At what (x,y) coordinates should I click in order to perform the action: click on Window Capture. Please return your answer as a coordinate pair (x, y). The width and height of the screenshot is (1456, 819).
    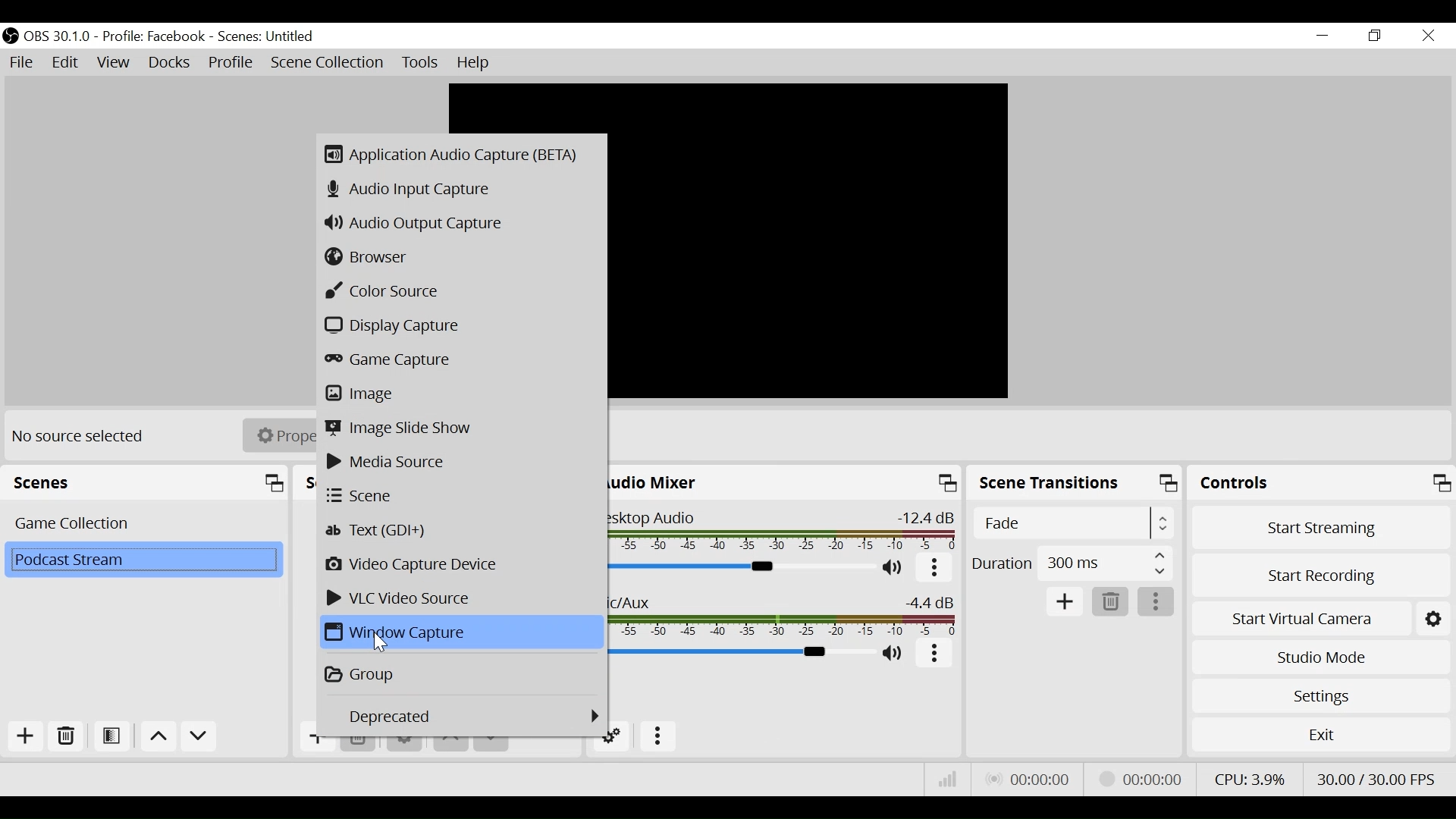
    Looking at the image, I should click on (462, 632).